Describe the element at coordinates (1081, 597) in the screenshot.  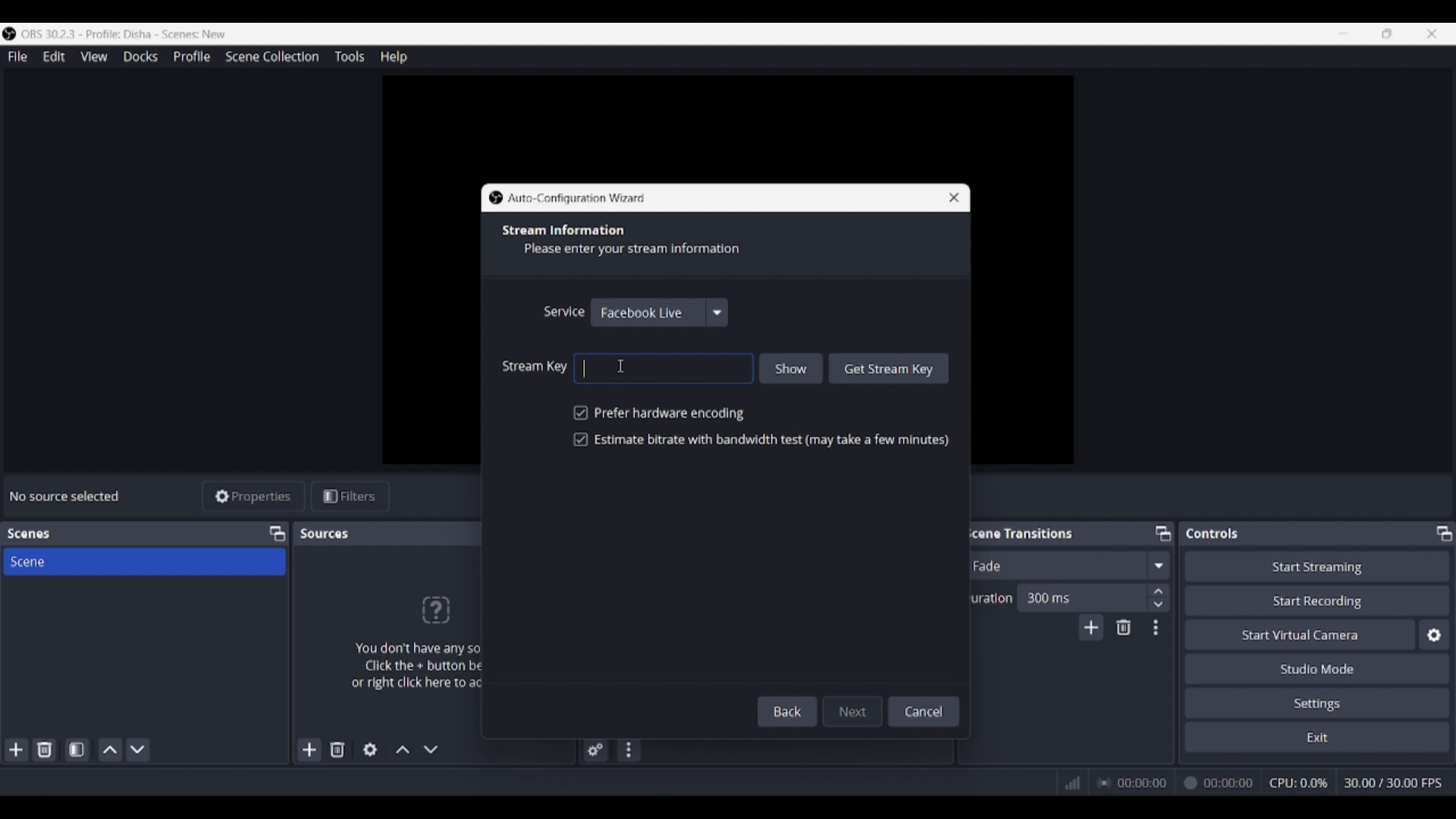
I see `Input duration` at that location.